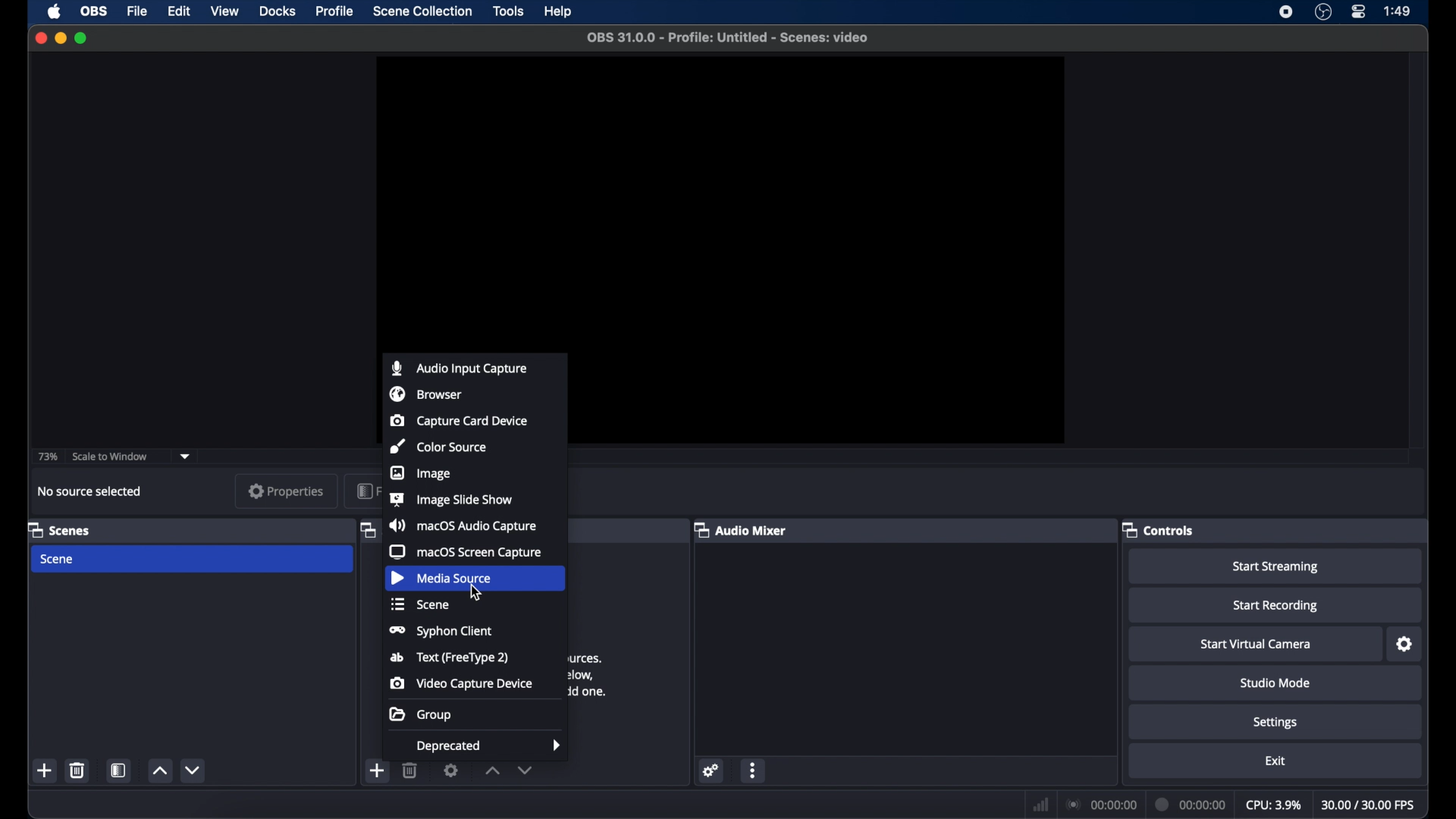  I want to click on no source selected, so click(90, 492).